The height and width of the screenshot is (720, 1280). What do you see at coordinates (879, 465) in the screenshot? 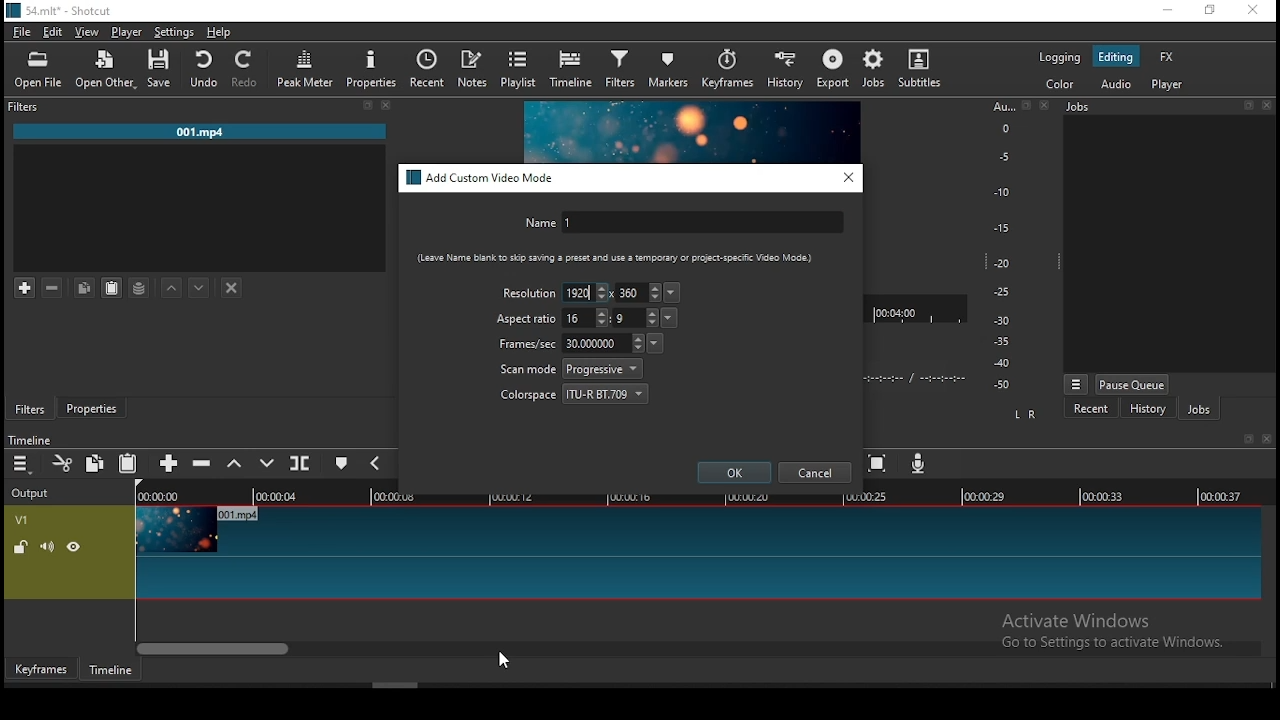
I see `zoom timeline to fit` at bounding box center [879, 465].